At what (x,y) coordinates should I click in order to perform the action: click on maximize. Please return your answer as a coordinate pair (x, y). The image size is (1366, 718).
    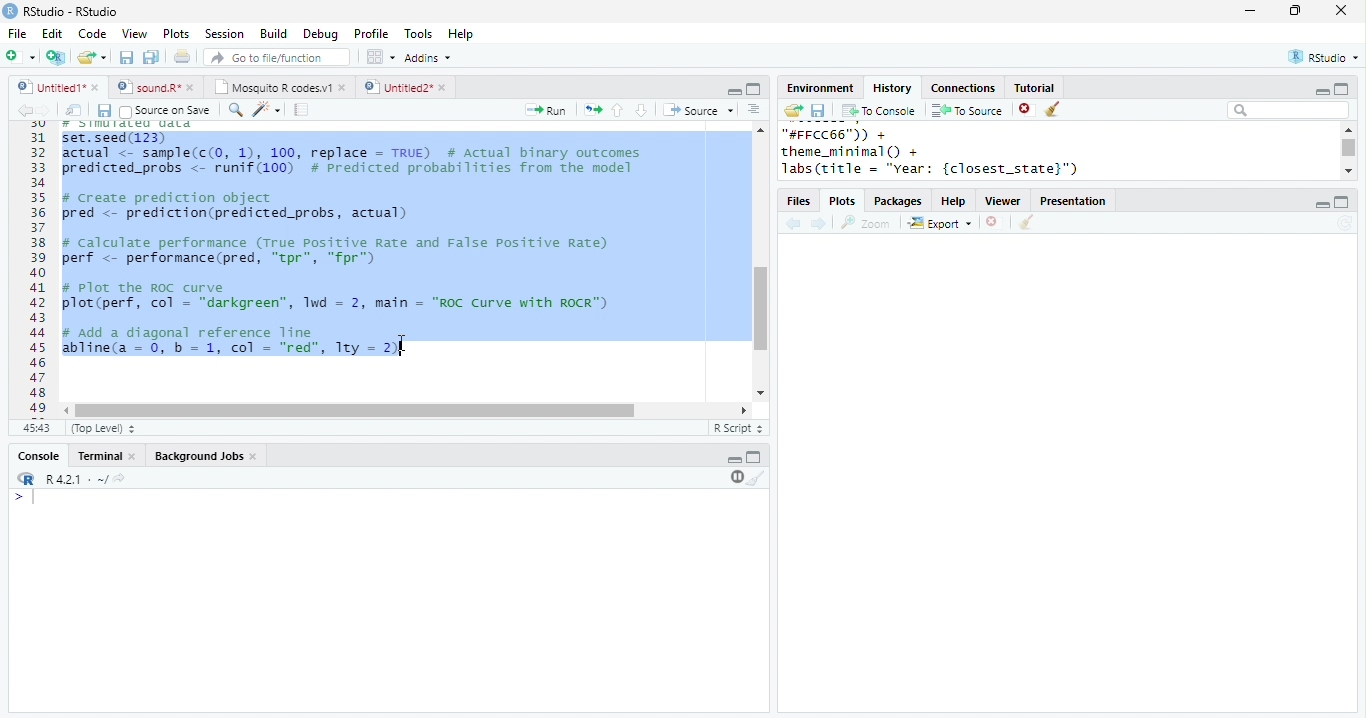
    Looking at the image, I should click on (753, 89).